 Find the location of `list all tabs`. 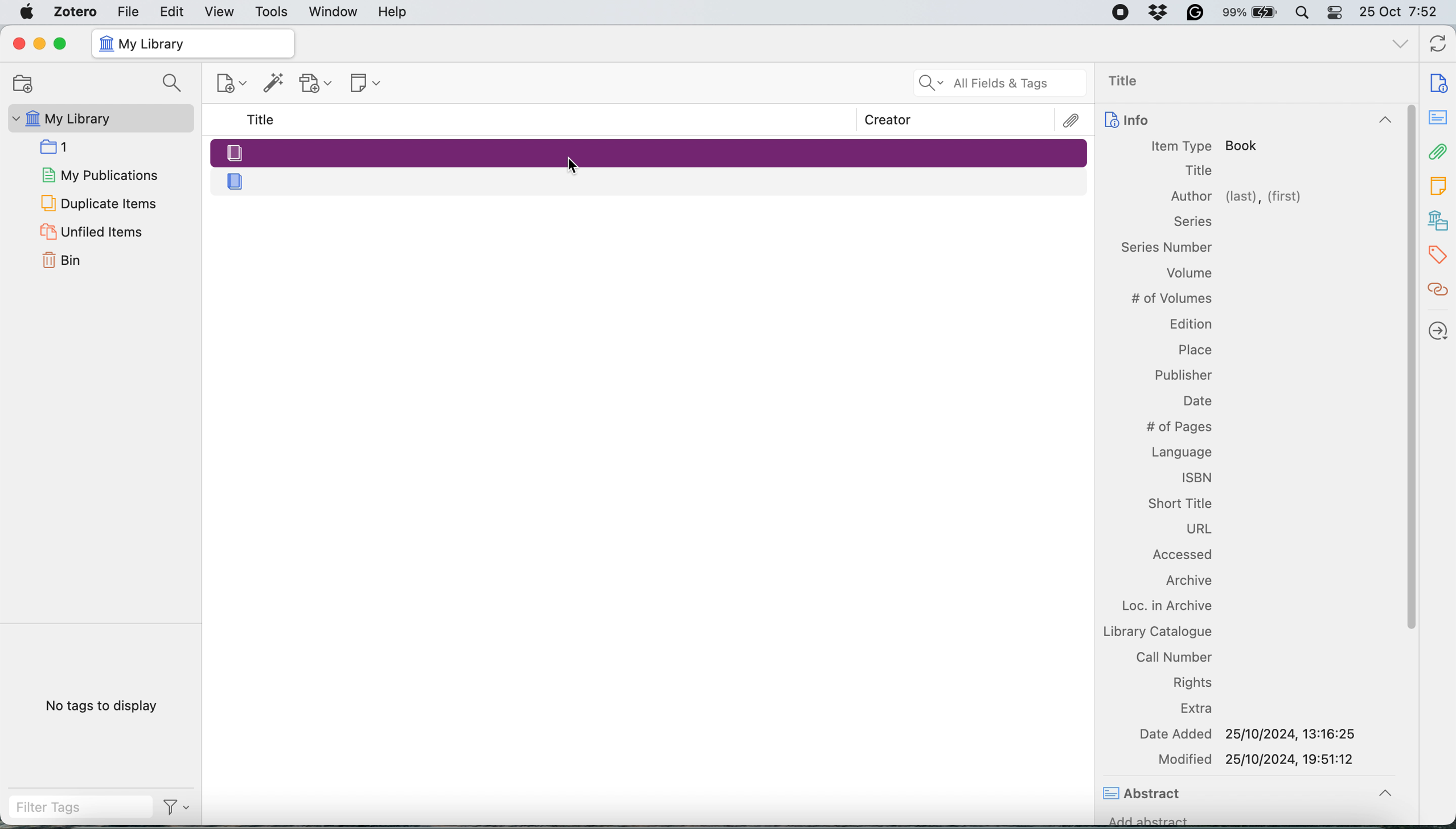

list all tabs is located at coordinates (1401, 46).